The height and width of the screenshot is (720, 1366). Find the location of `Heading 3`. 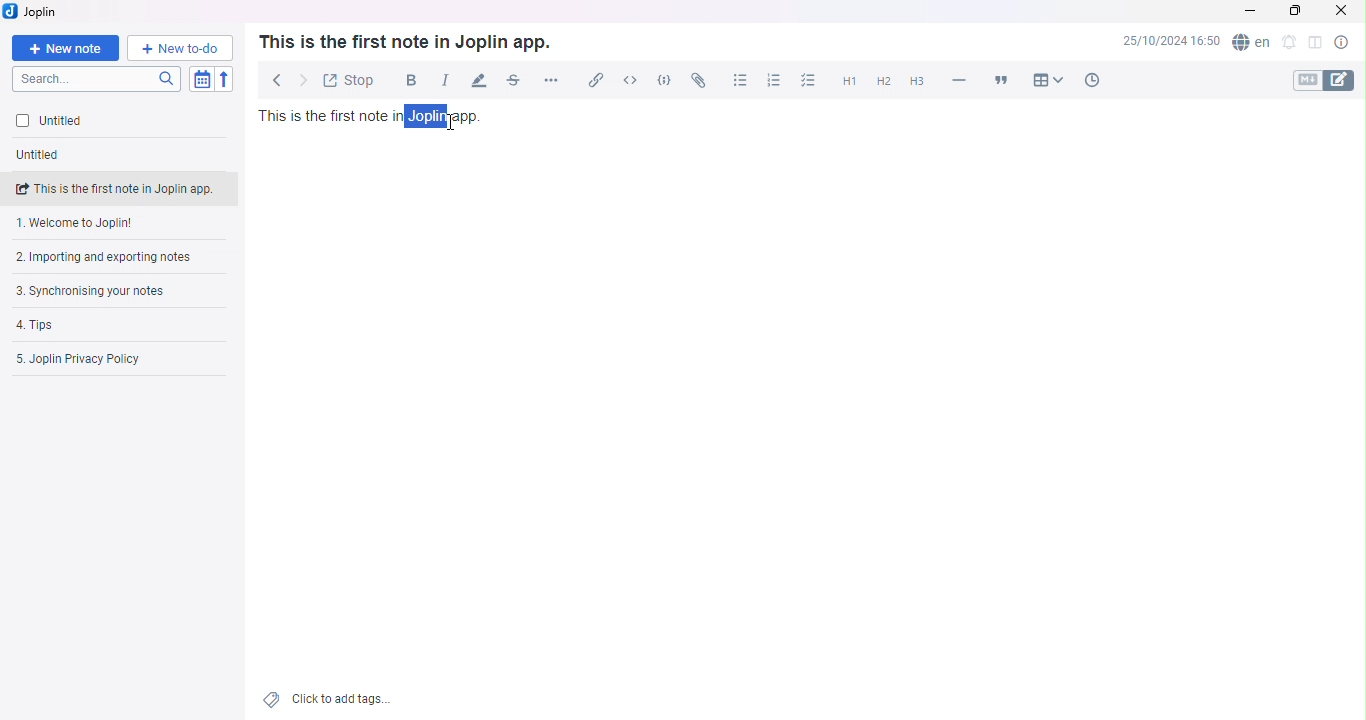

Heading 3 is located at coordinates (915, 83).